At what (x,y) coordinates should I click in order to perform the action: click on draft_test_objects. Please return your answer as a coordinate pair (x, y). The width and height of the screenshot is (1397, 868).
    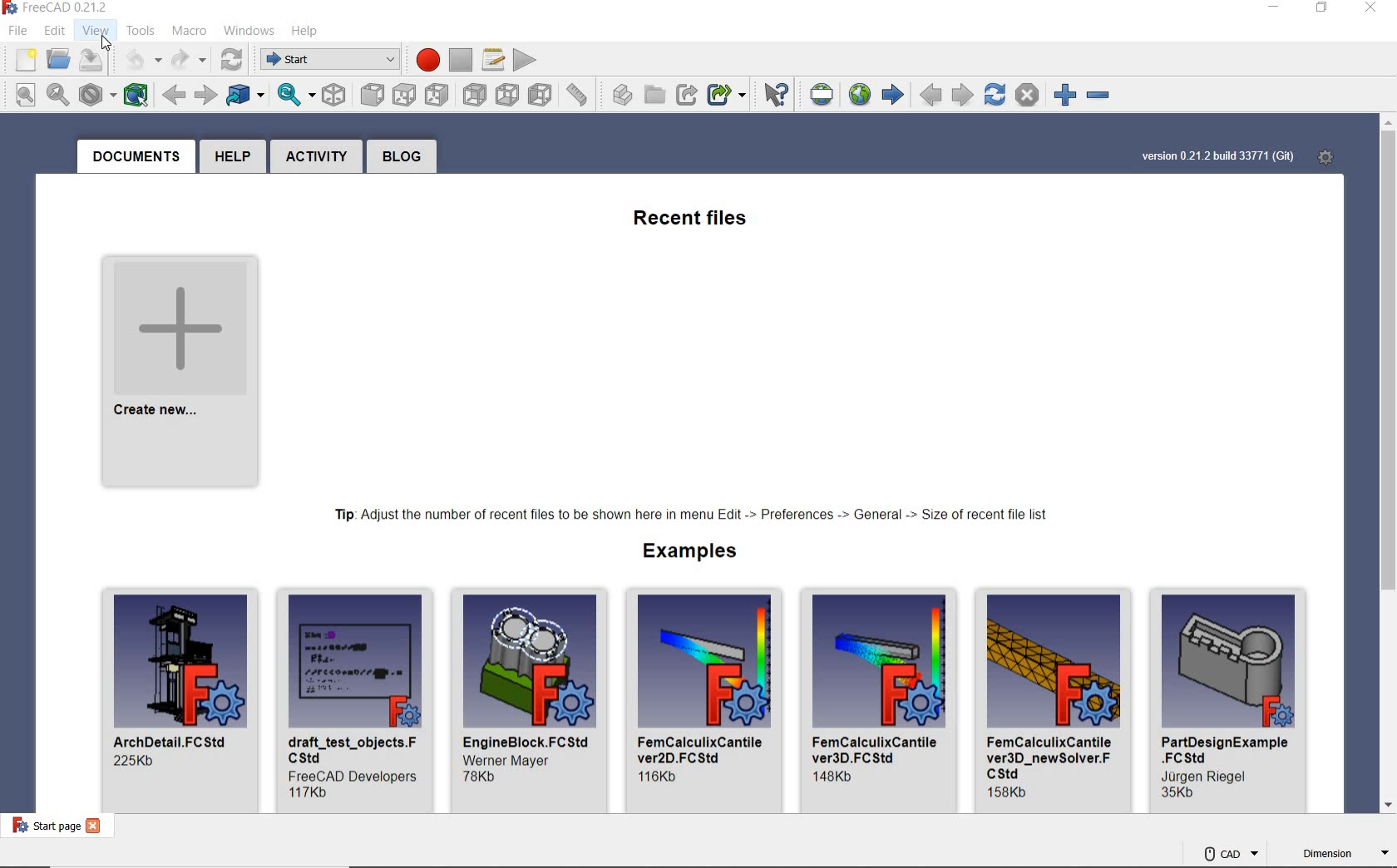
    Looking at the image, I should click on (355, 699).